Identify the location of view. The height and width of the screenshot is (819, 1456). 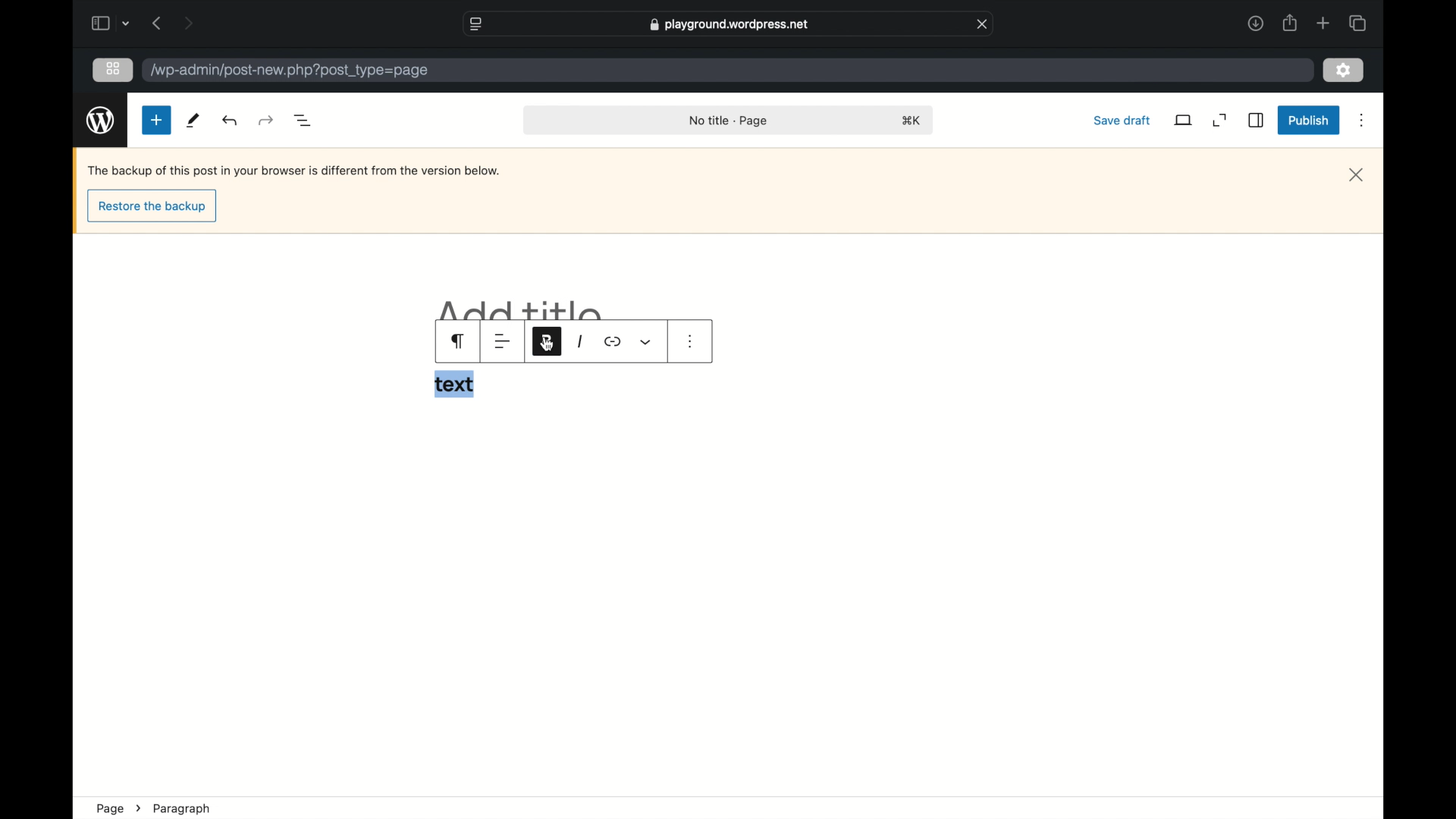
(1184, 120).